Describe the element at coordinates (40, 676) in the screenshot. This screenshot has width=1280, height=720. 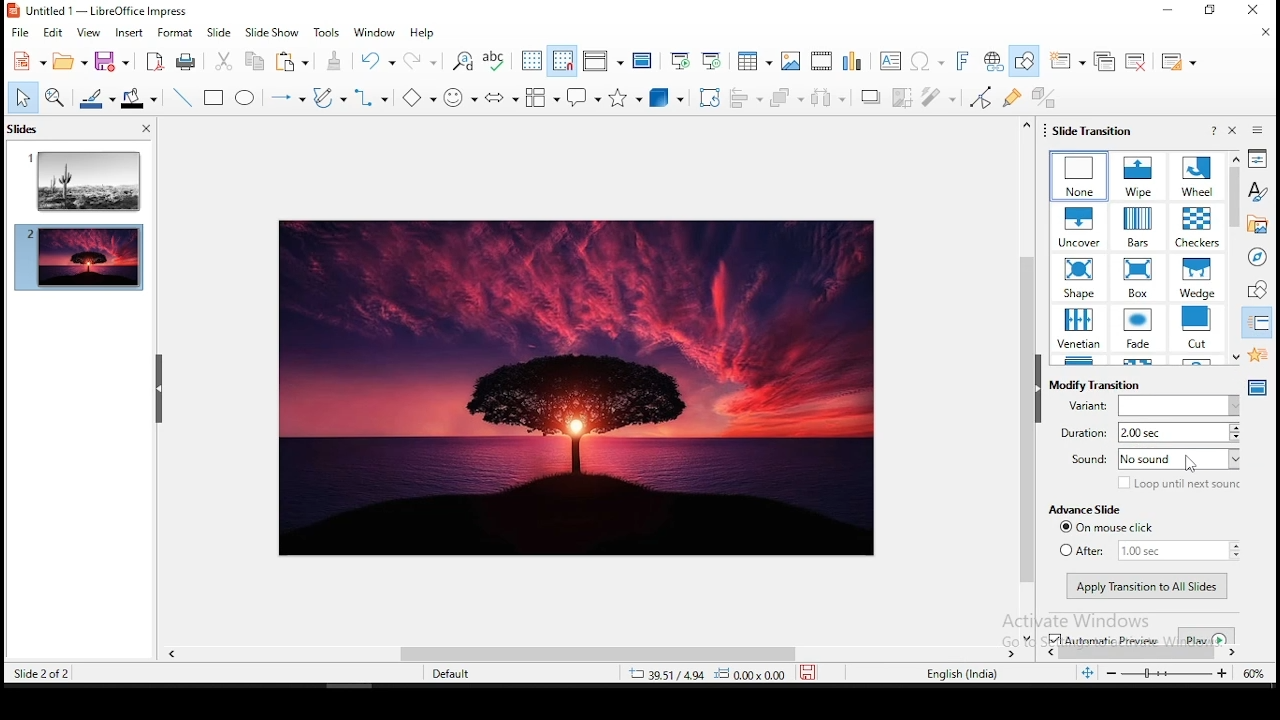
I see `slide 2 of 2` at that location.